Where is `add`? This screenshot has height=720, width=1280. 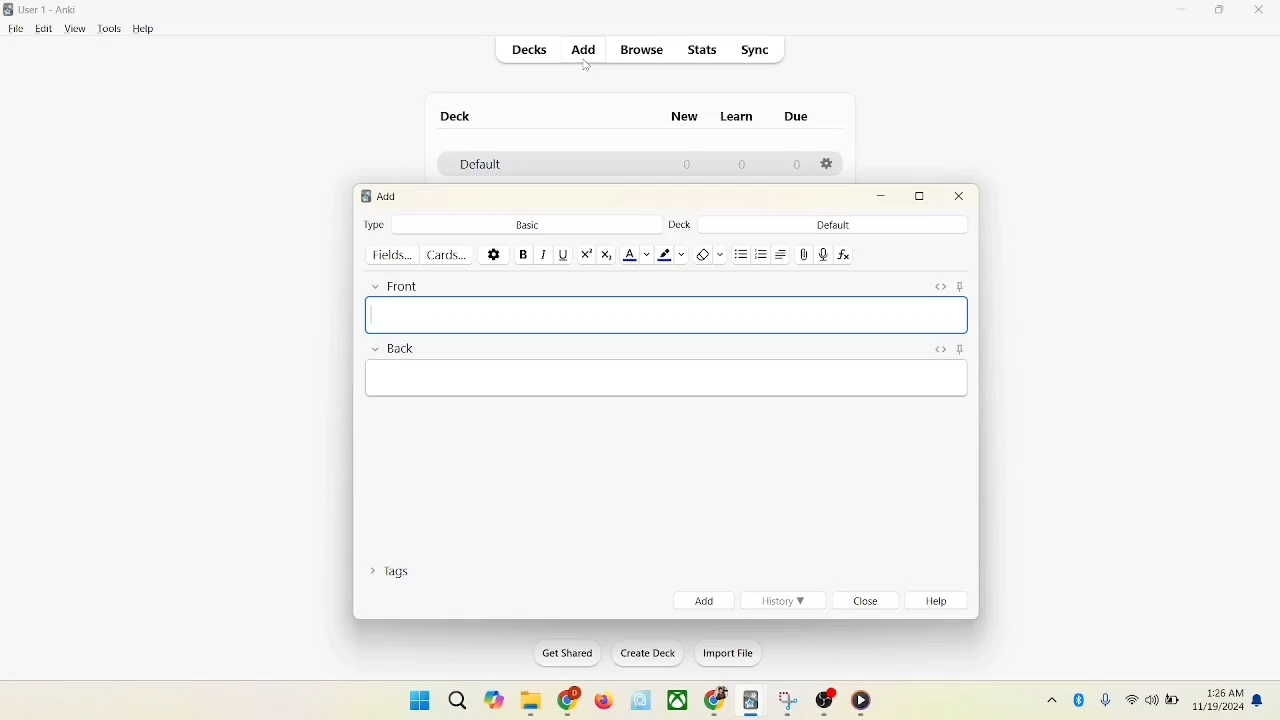 add is located at coordinates (582, 49).